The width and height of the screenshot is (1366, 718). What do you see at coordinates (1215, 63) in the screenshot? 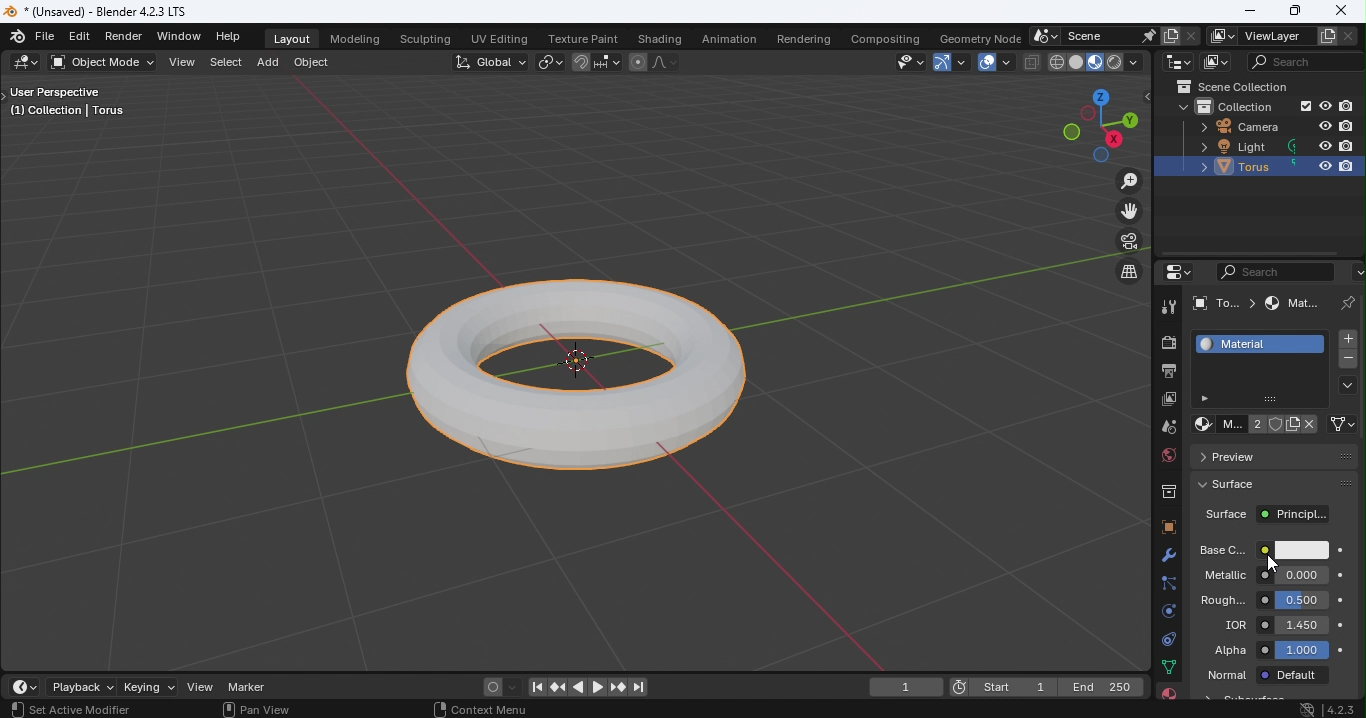
I see `Display mode` at bounding box center [1215, 63].